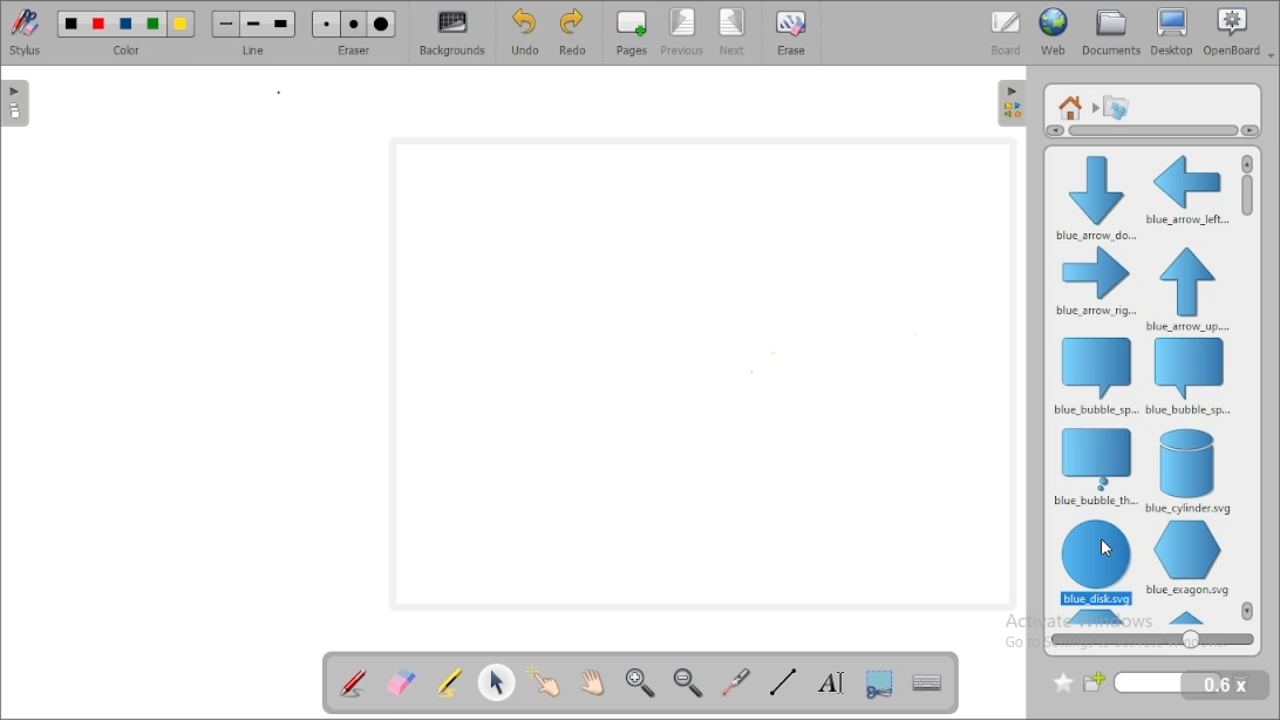 This screenshot has height=720, width=1280. What do you see at coordinates (690, 682) in the screenshot?
I see `zoom out` at bounding box center [690, 682].